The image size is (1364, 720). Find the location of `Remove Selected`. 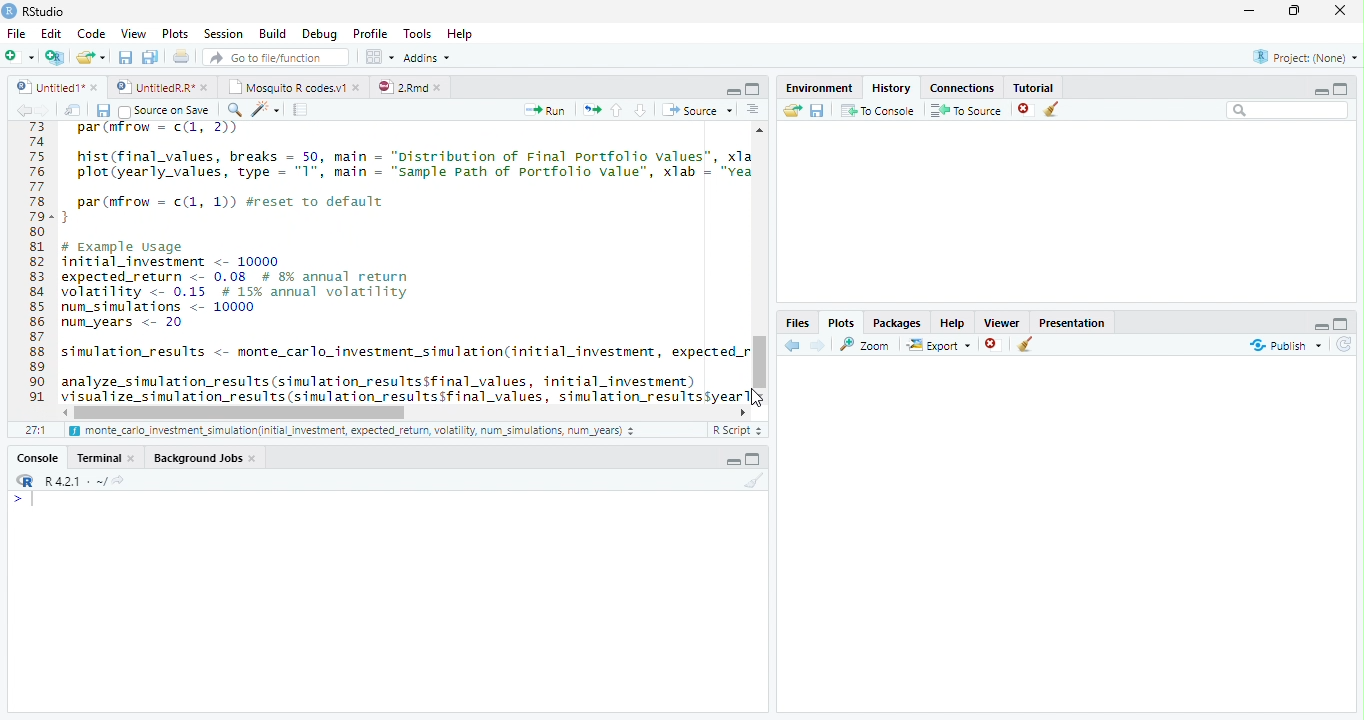

Remove Selected is located at coordinates (1027, 109).